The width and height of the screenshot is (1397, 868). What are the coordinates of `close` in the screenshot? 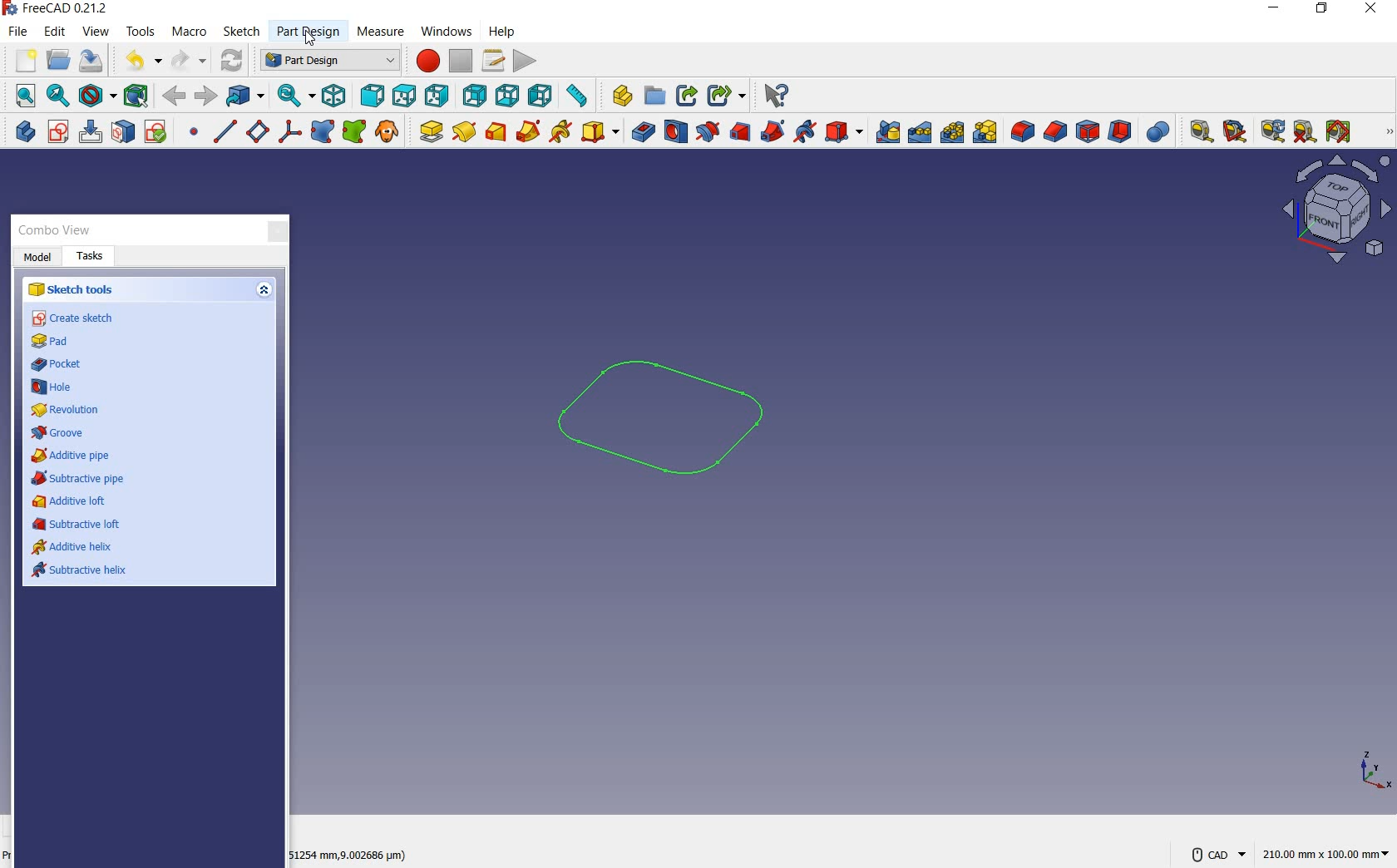 It's located at (1370, 12).